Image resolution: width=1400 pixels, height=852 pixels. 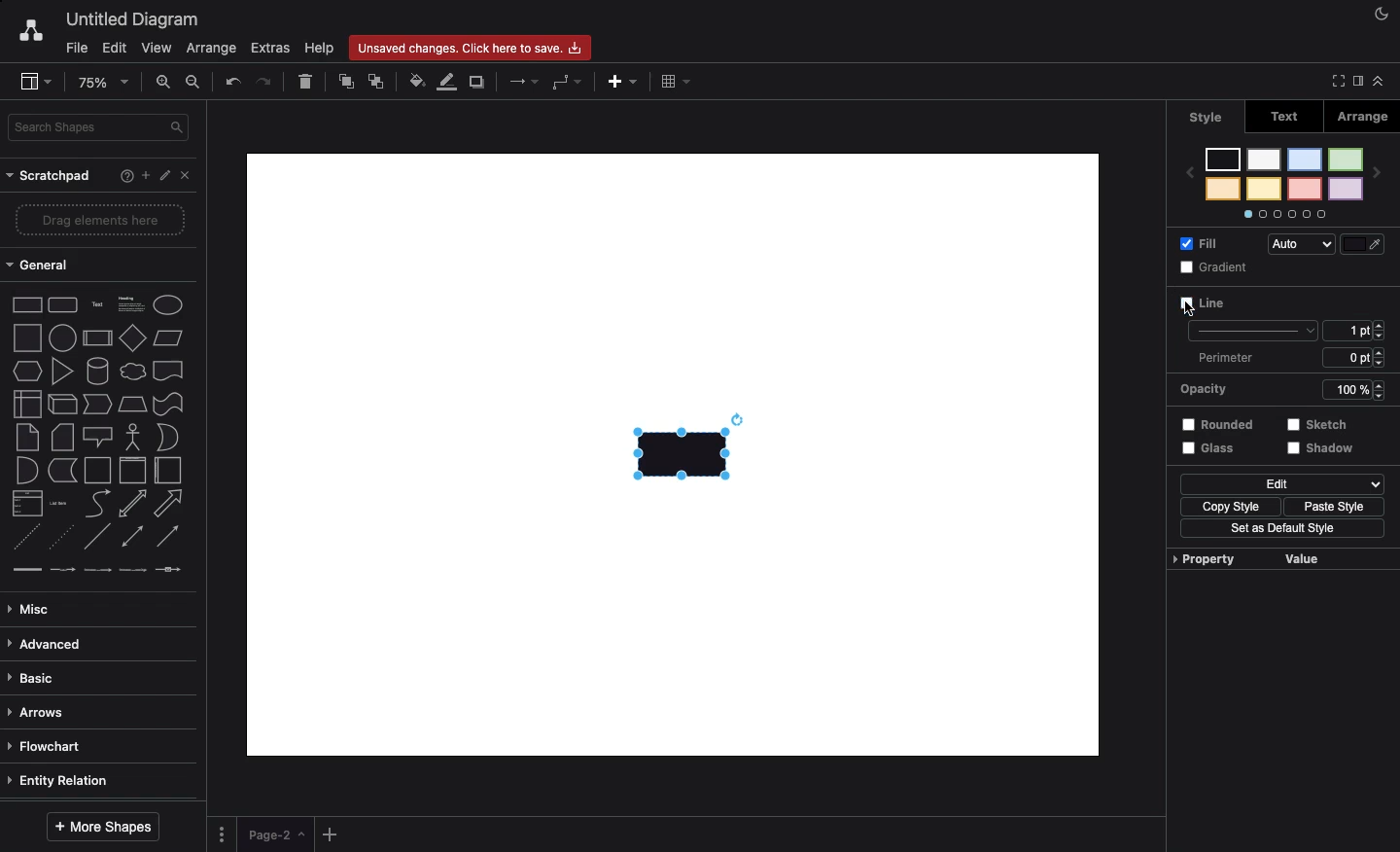 What do you see at coordinates (172, 437) in the screenshot?
I see `or` at bounding box center [172, 437].